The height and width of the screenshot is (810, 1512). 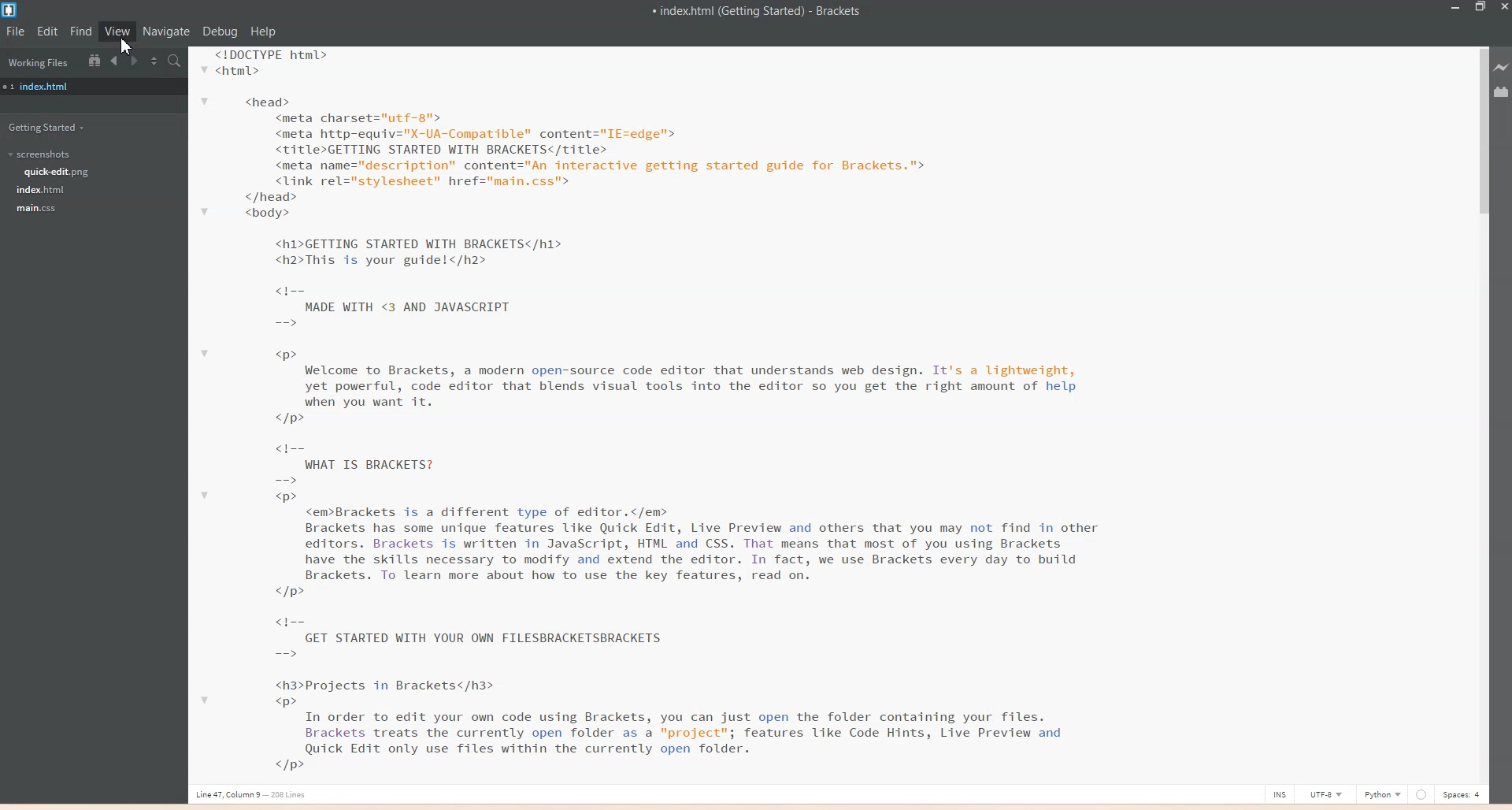 What do you see at coordinates (80, 31) in the screenshot?
I see `Find` at bounding box center [80, 31].